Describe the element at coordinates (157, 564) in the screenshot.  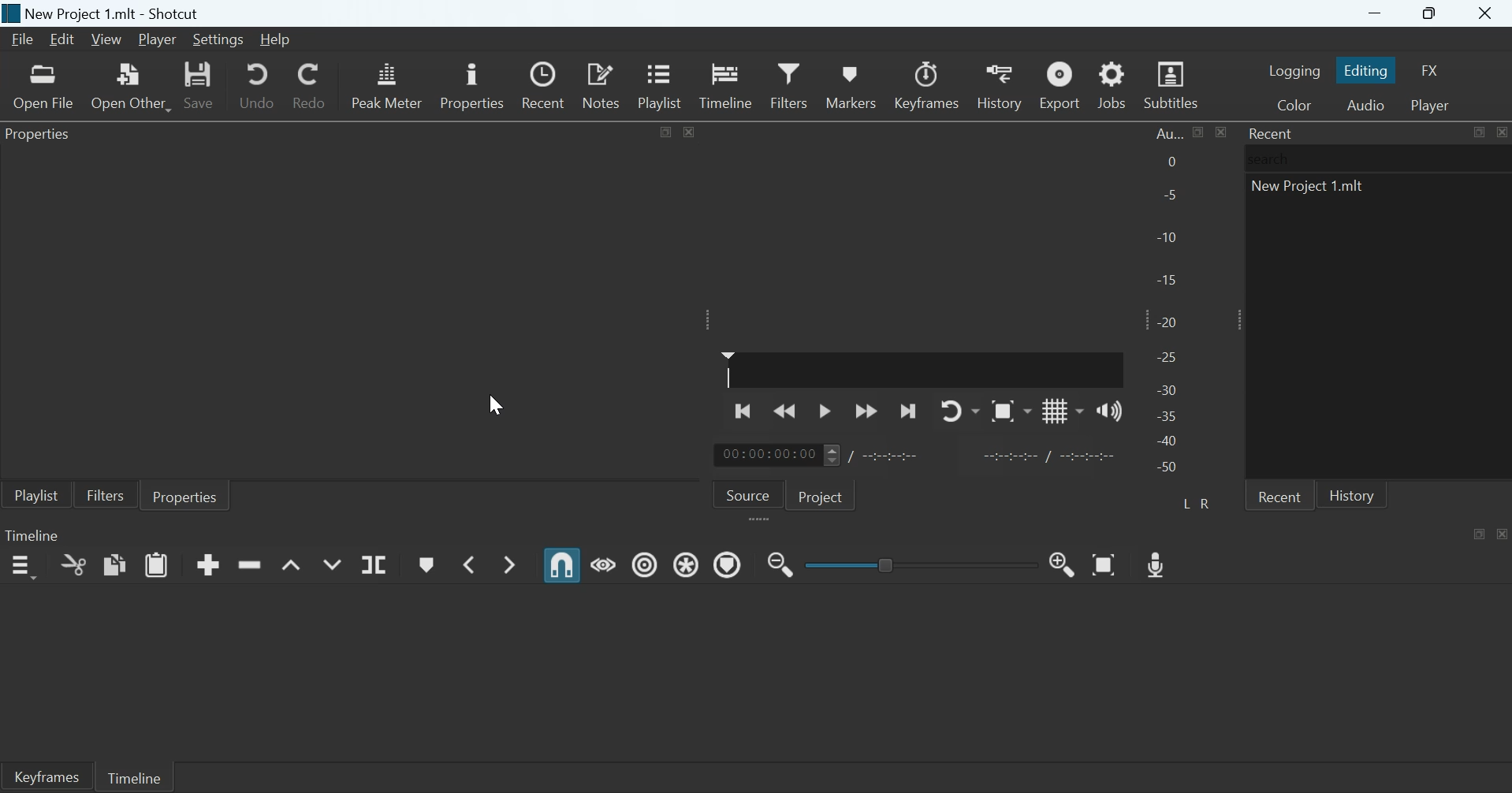
I see `Paste` at that location.